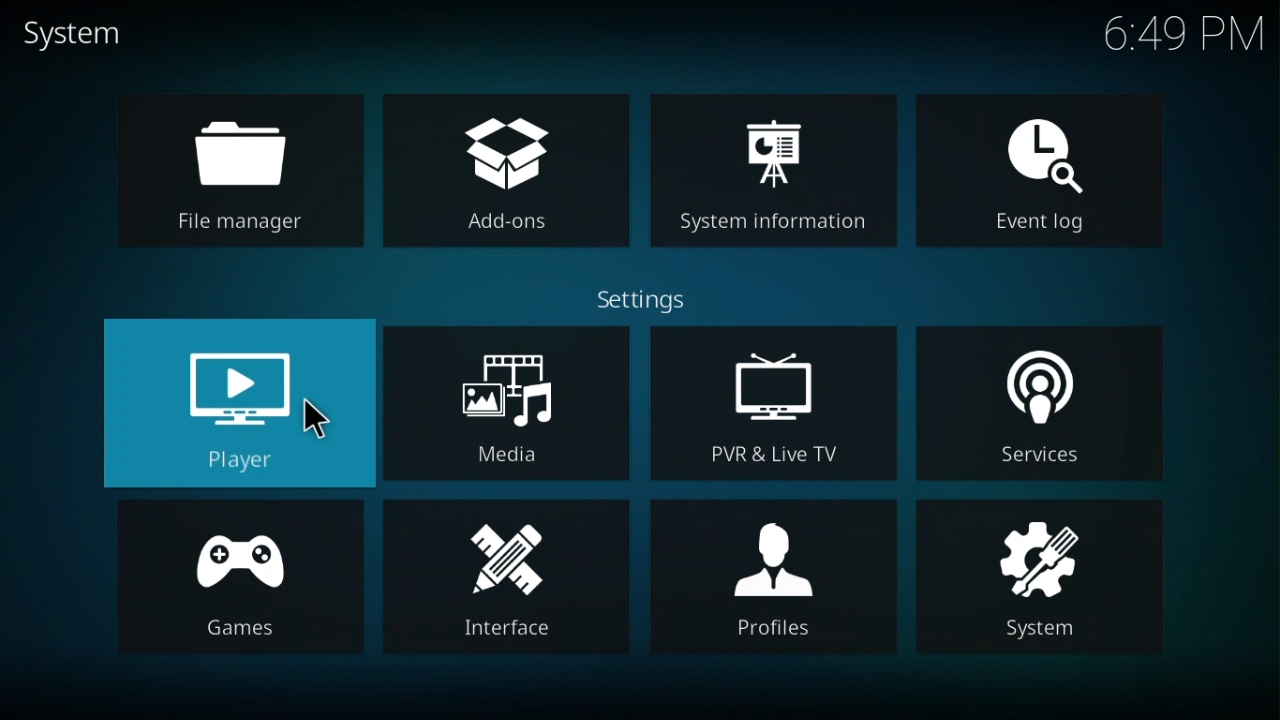 The height and width of the screenshot is (720, 1280). Describe the element at coordinates (242, 173) in the screenshot. I see `File manager` at that location.